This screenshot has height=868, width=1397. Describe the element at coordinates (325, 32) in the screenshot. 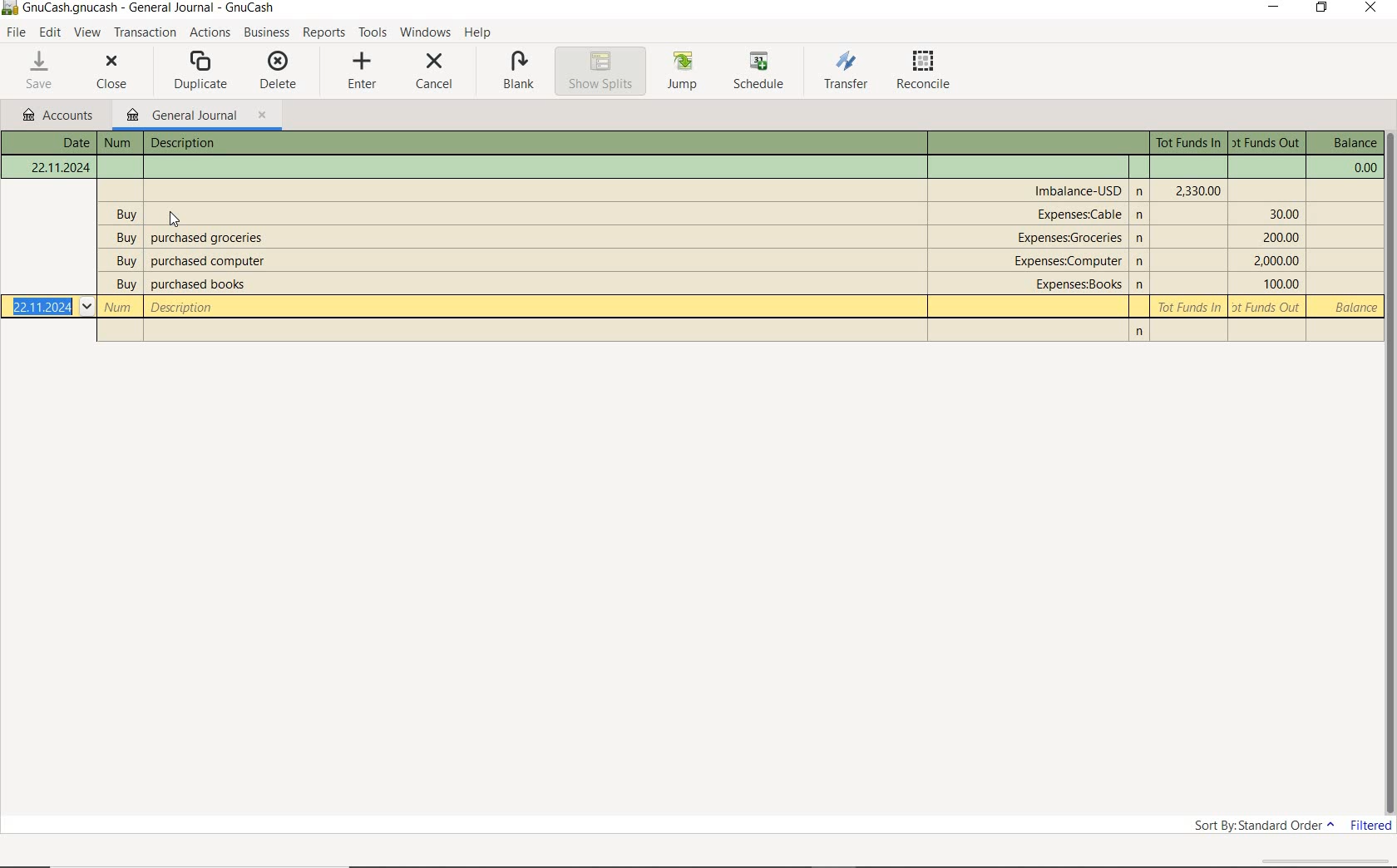

I see `REPORTS` at that location.